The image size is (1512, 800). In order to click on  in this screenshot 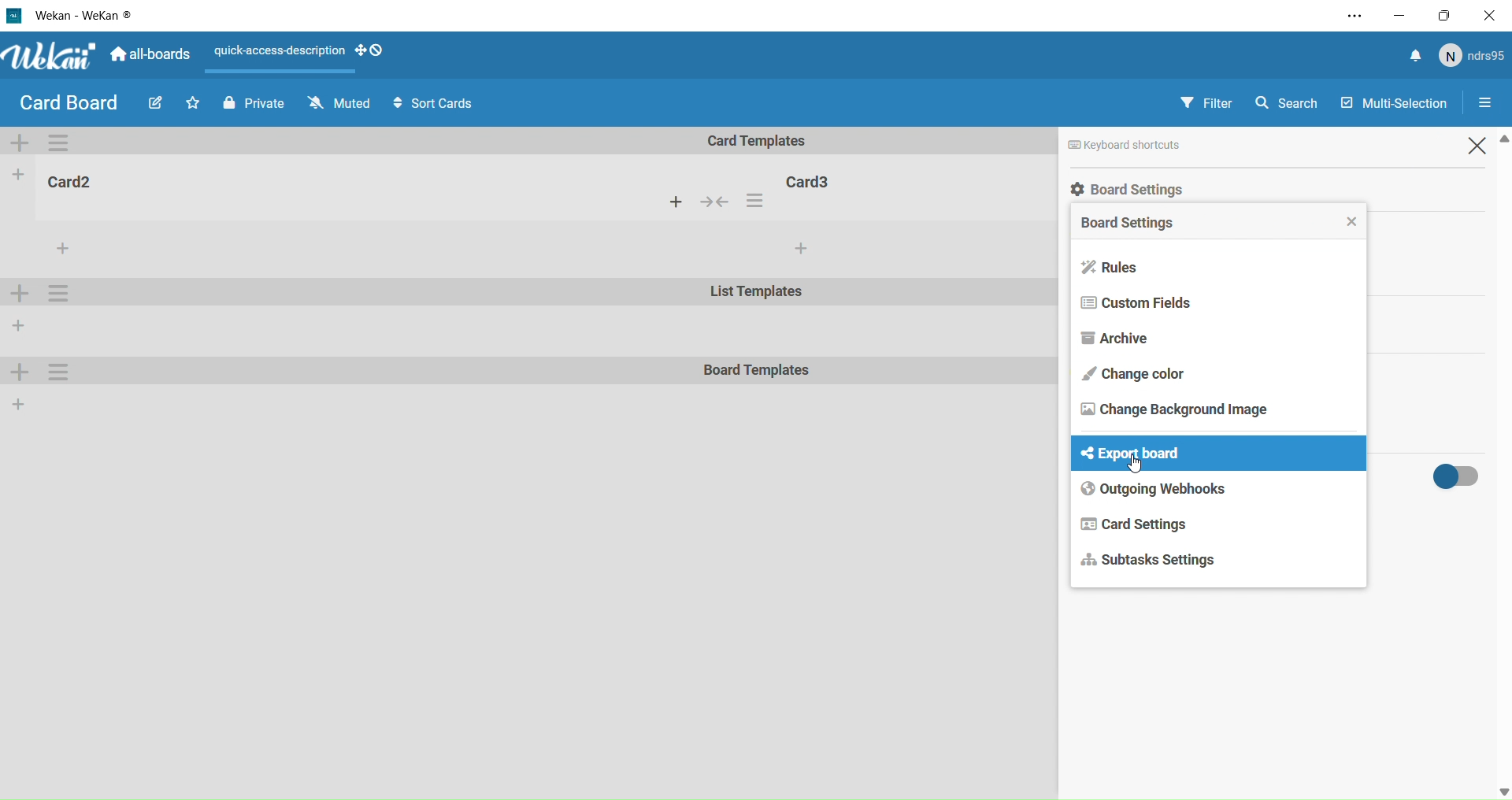, I will do `click(1415, 58)`.